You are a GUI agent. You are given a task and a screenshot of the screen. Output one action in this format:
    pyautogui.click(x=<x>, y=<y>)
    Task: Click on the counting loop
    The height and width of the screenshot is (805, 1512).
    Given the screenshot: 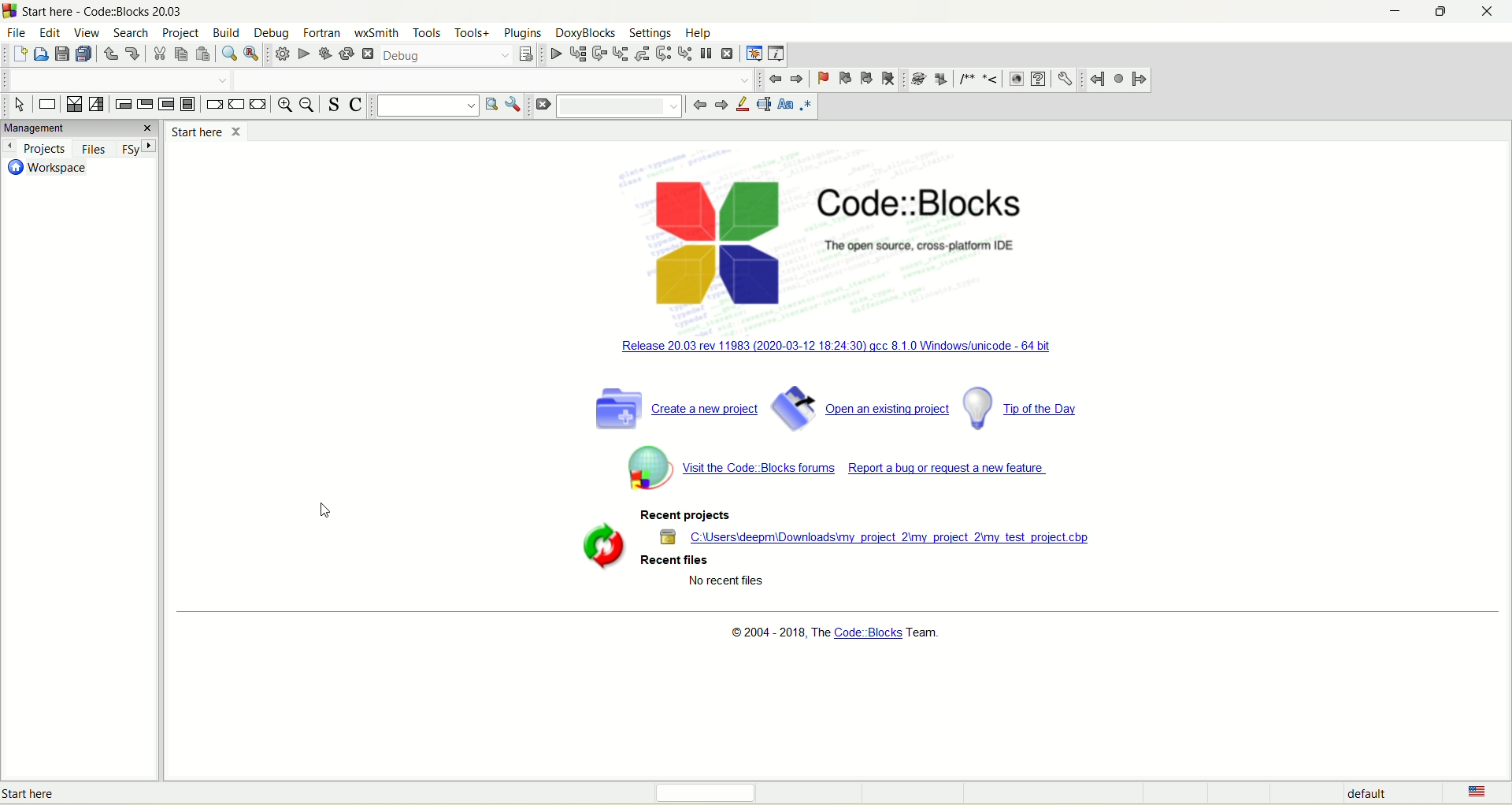 What is the action you would take?
    pyautogui.click(x=166, y=105)
    